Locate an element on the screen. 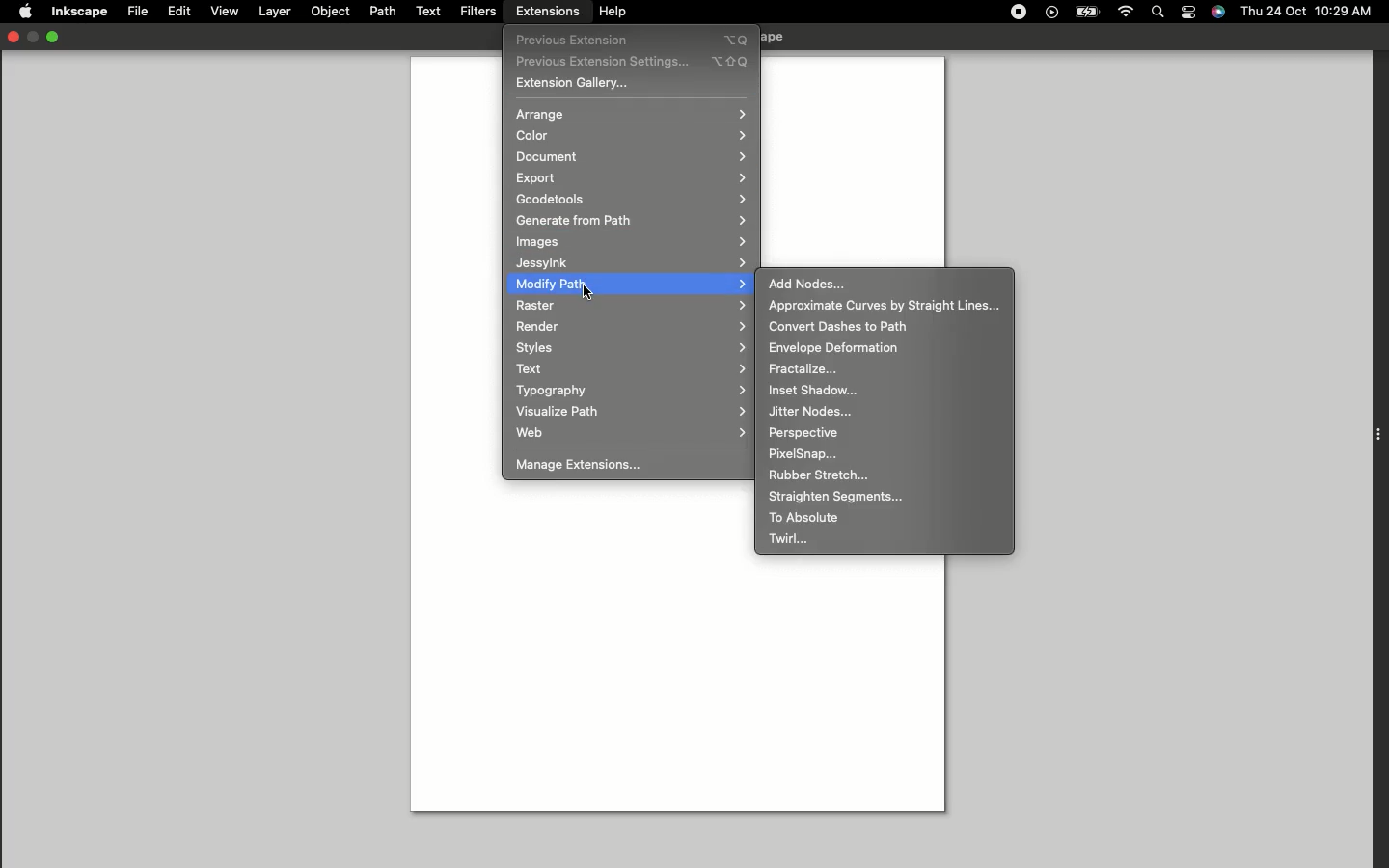 The image size is (1389, 868). Restore is located at coordinates (34, 38).